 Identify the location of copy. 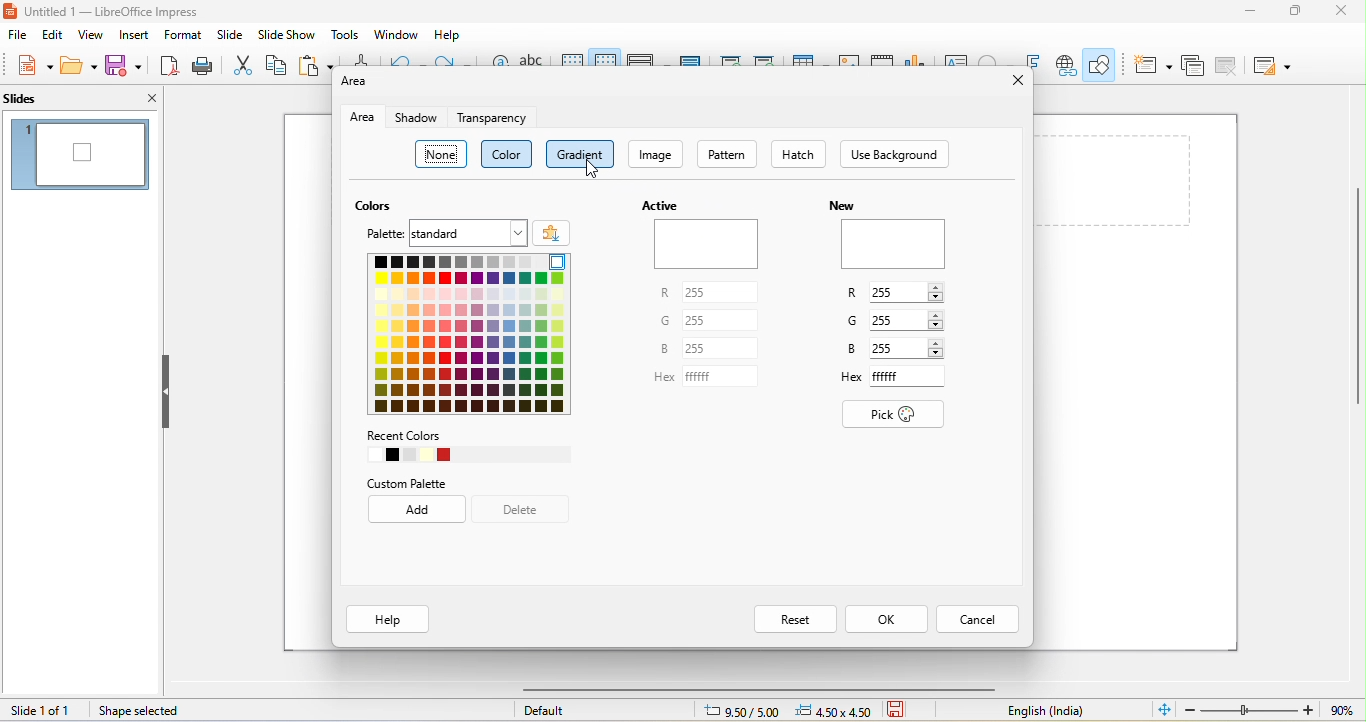
(277, 63).